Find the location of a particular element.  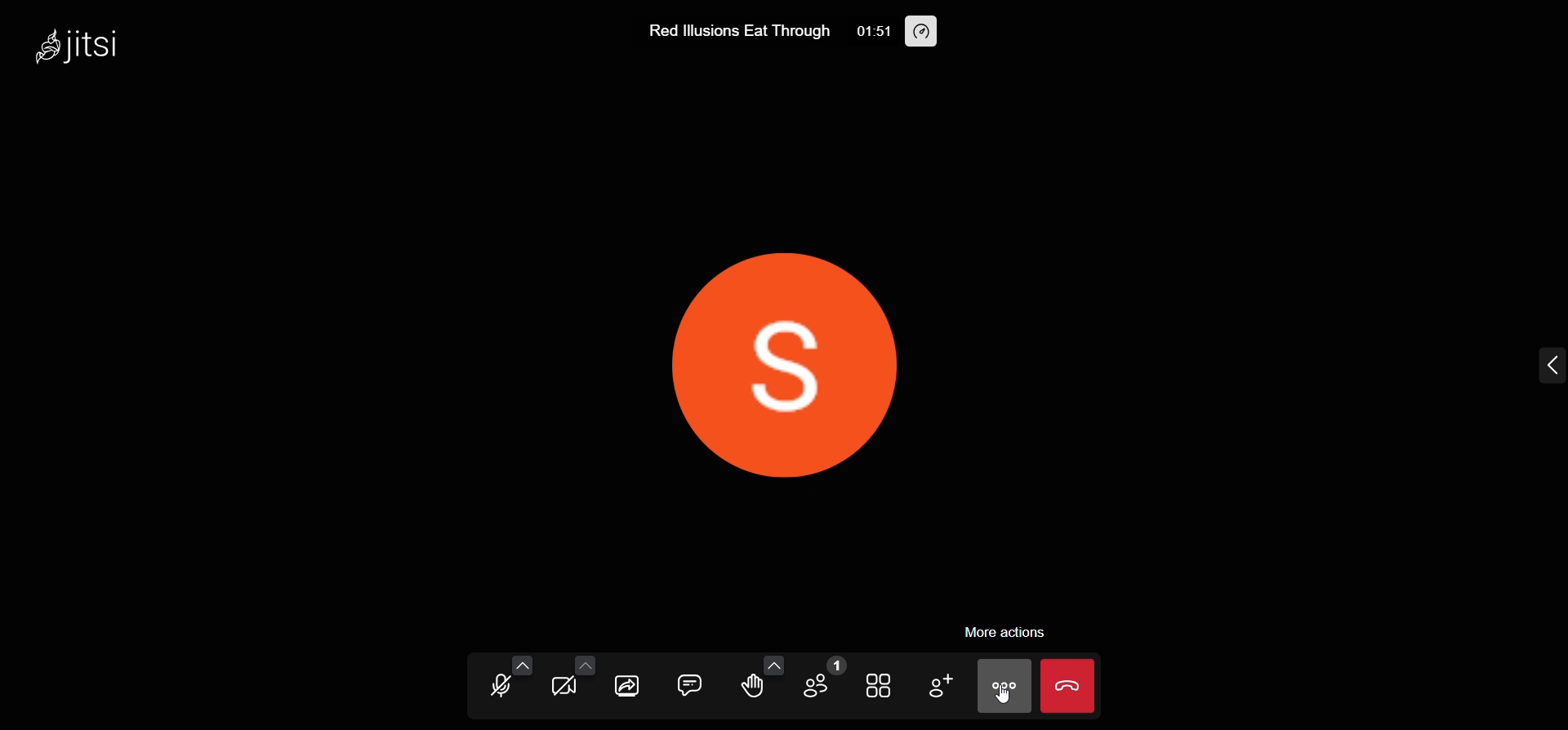

display picture is located at coordinates (831, 363).